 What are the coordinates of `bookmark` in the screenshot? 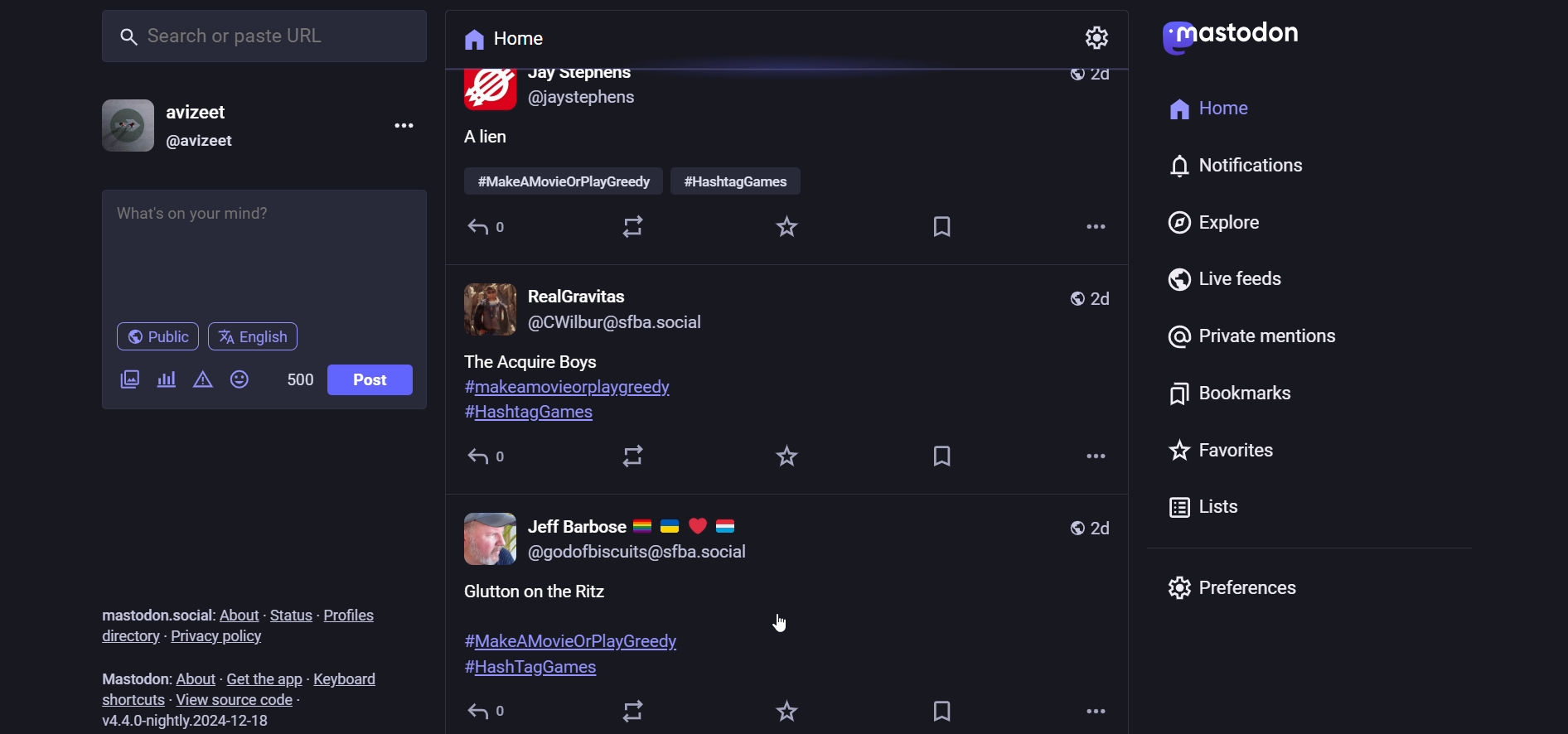 It's located at (1229, 390).